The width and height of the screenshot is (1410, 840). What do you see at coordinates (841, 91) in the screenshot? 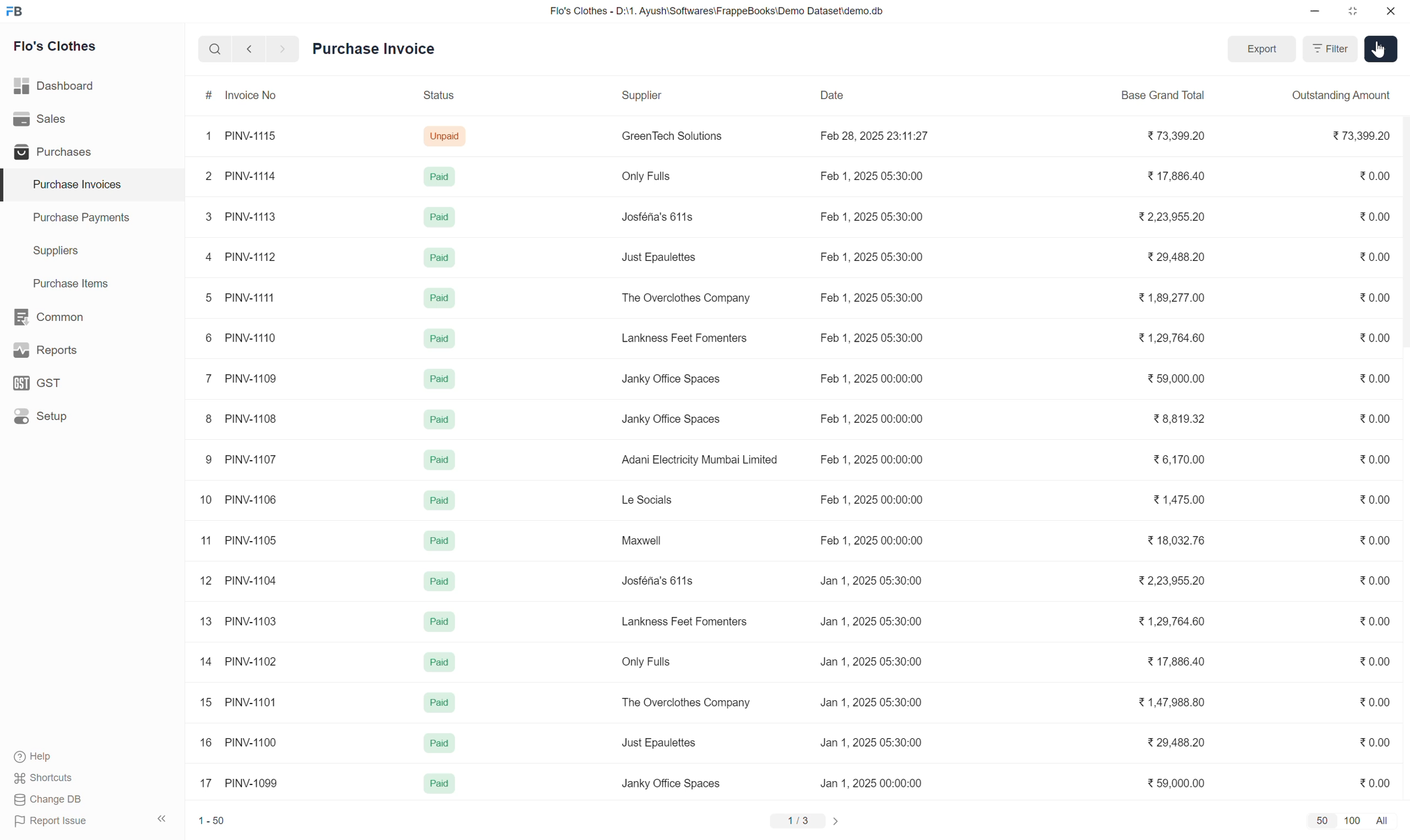
I see ` Date` at bounding box center [841, 91].